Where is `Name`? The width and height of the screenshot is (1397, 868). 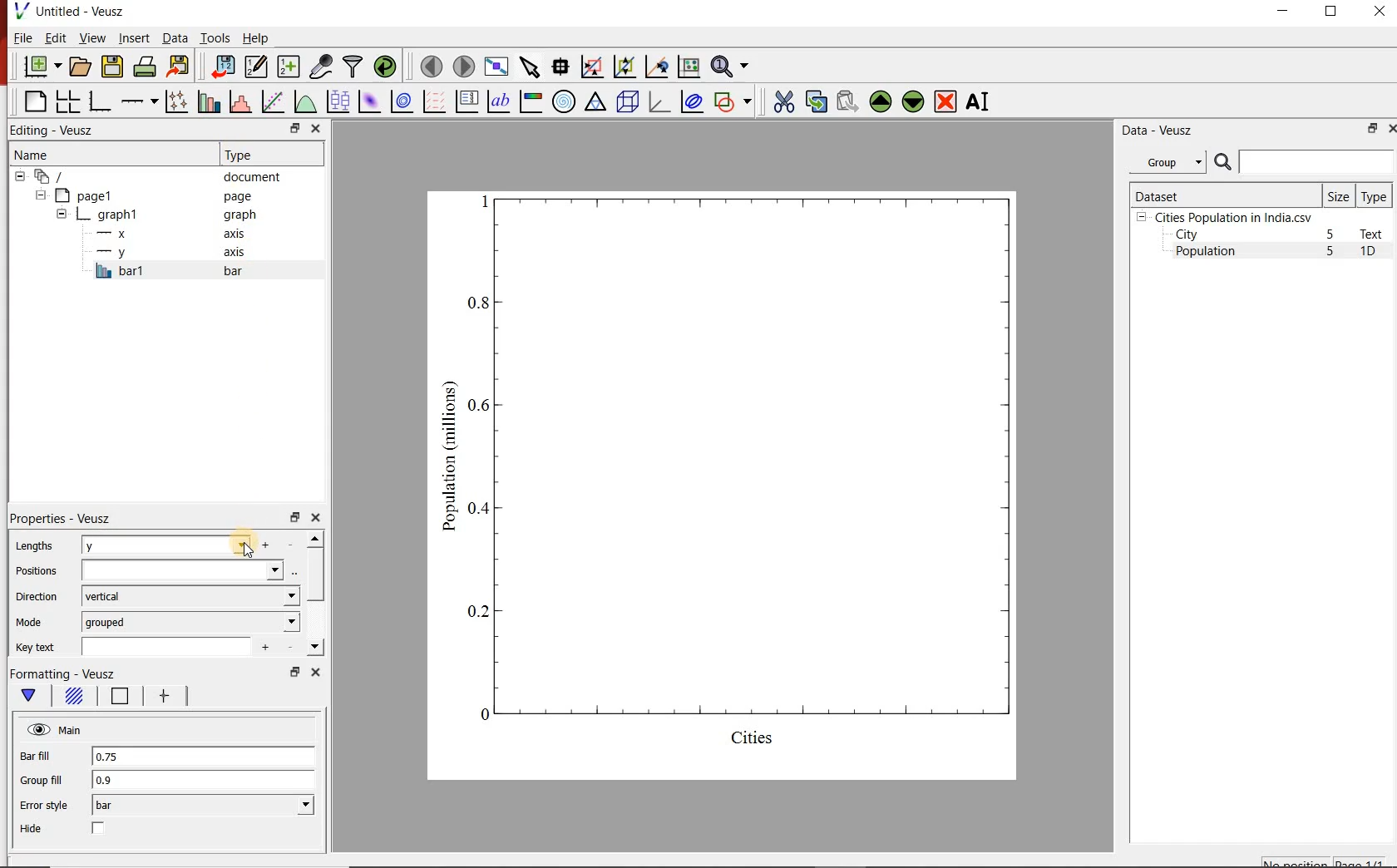
Name is located at coordinates (94, 154).